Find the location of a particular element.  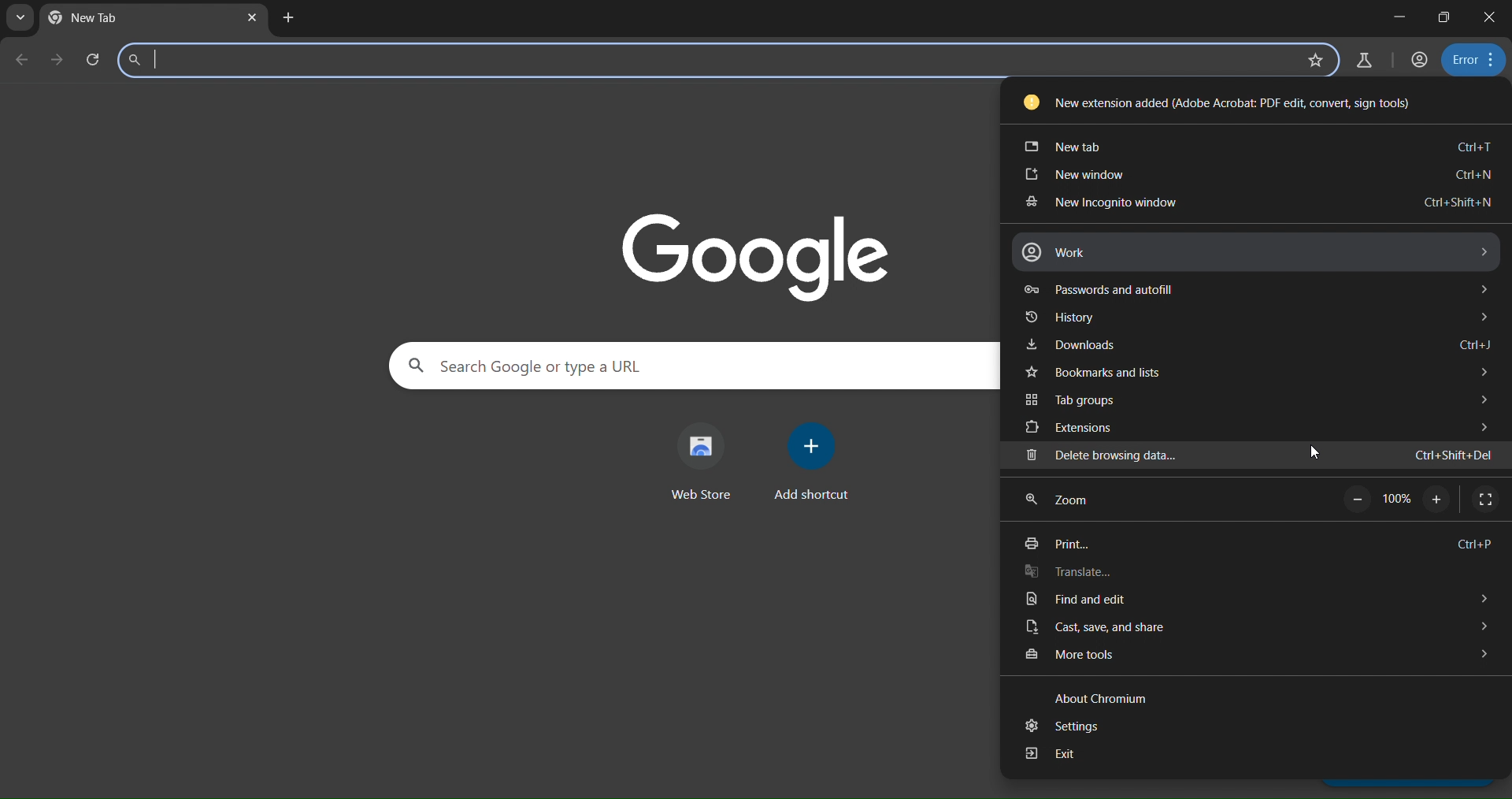

zoom out is located at coordinates (1359, 496).